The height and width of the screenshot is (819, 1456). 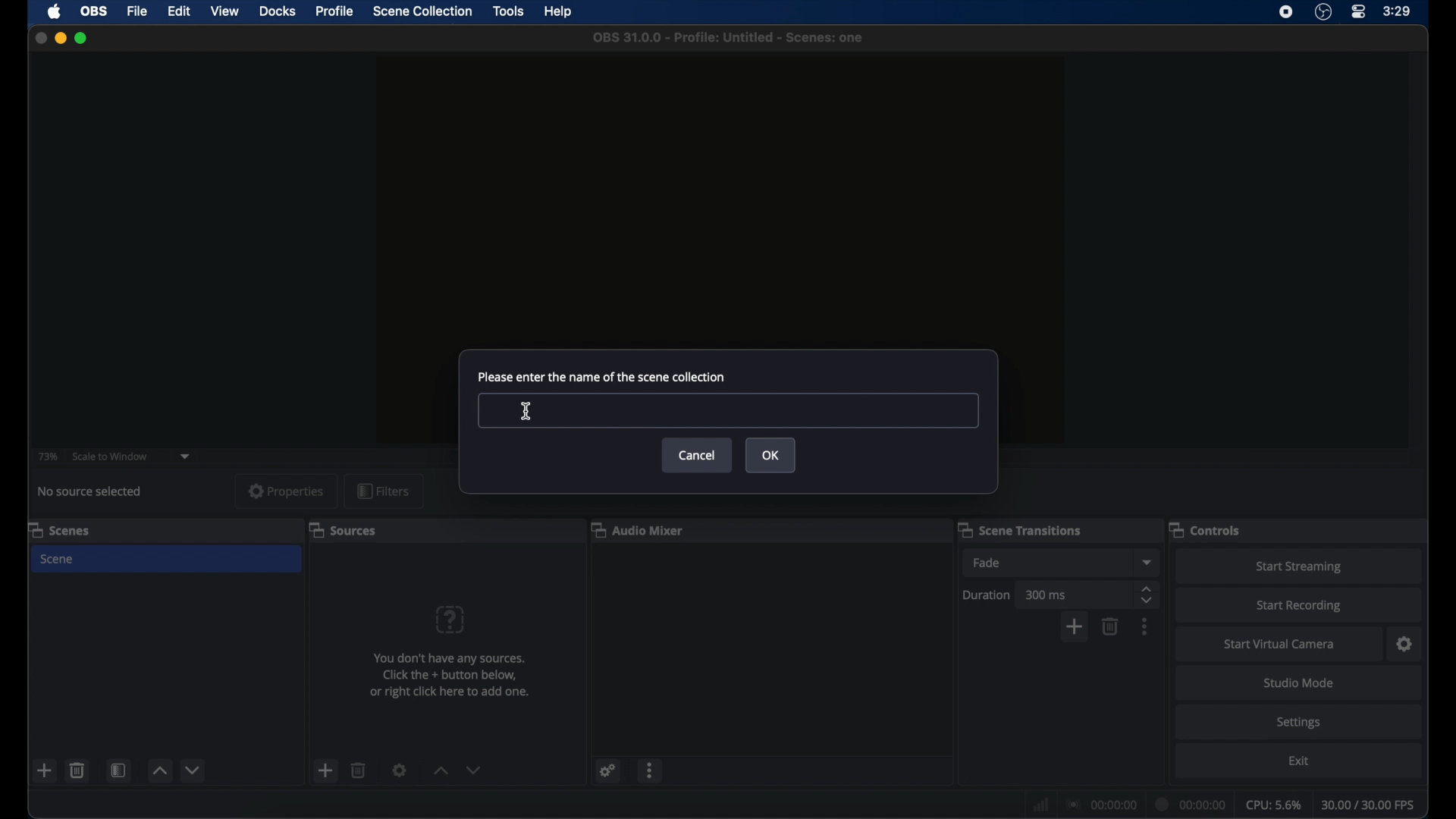 What do you see at coordinates (475, 770) in the screenshot?
I see `decrement` at bounding box center [475, 770].